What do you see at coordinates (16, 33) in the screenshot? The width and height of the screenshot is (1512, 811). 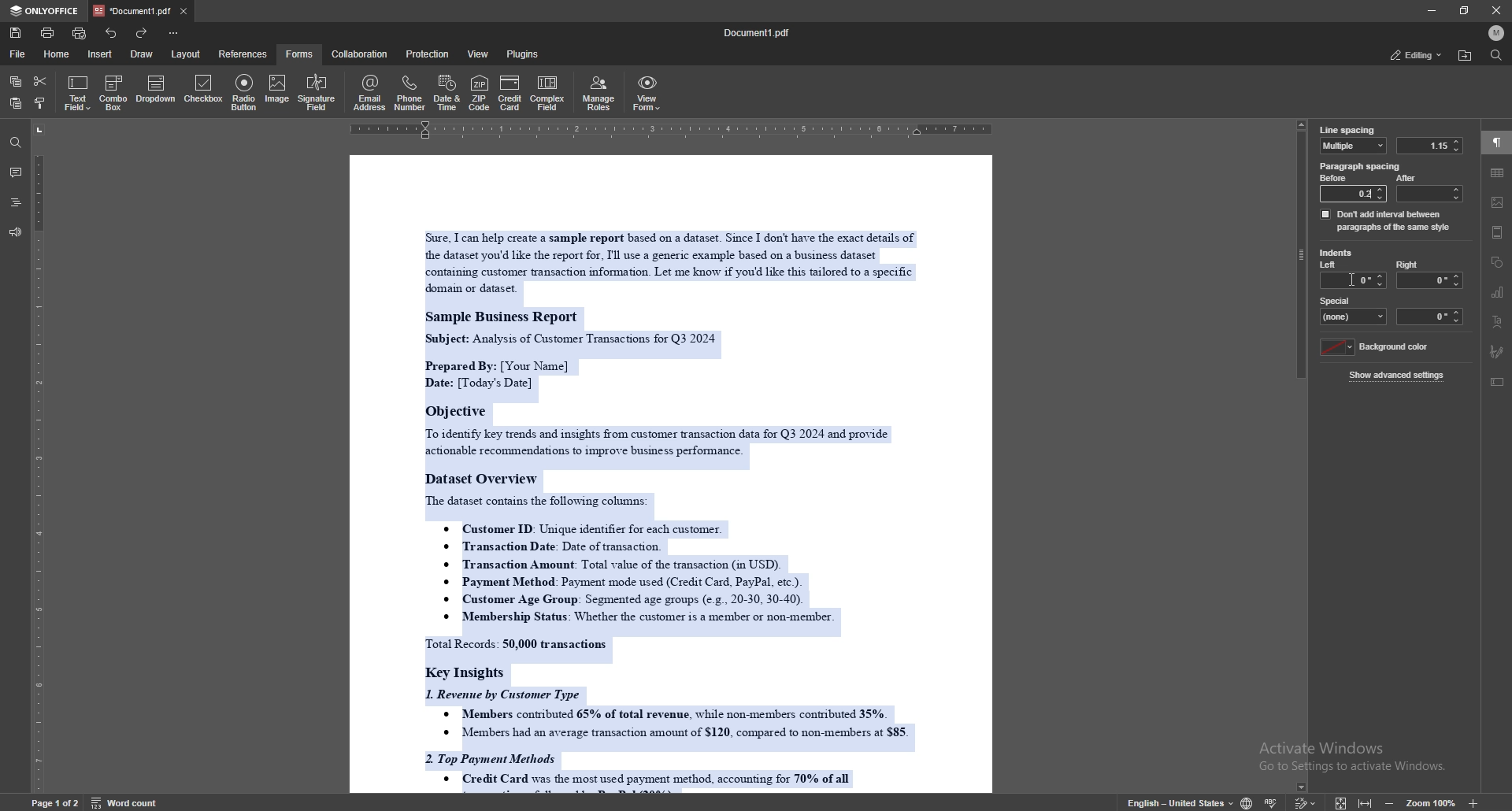 I see `save` at bounding box center [16, 33].